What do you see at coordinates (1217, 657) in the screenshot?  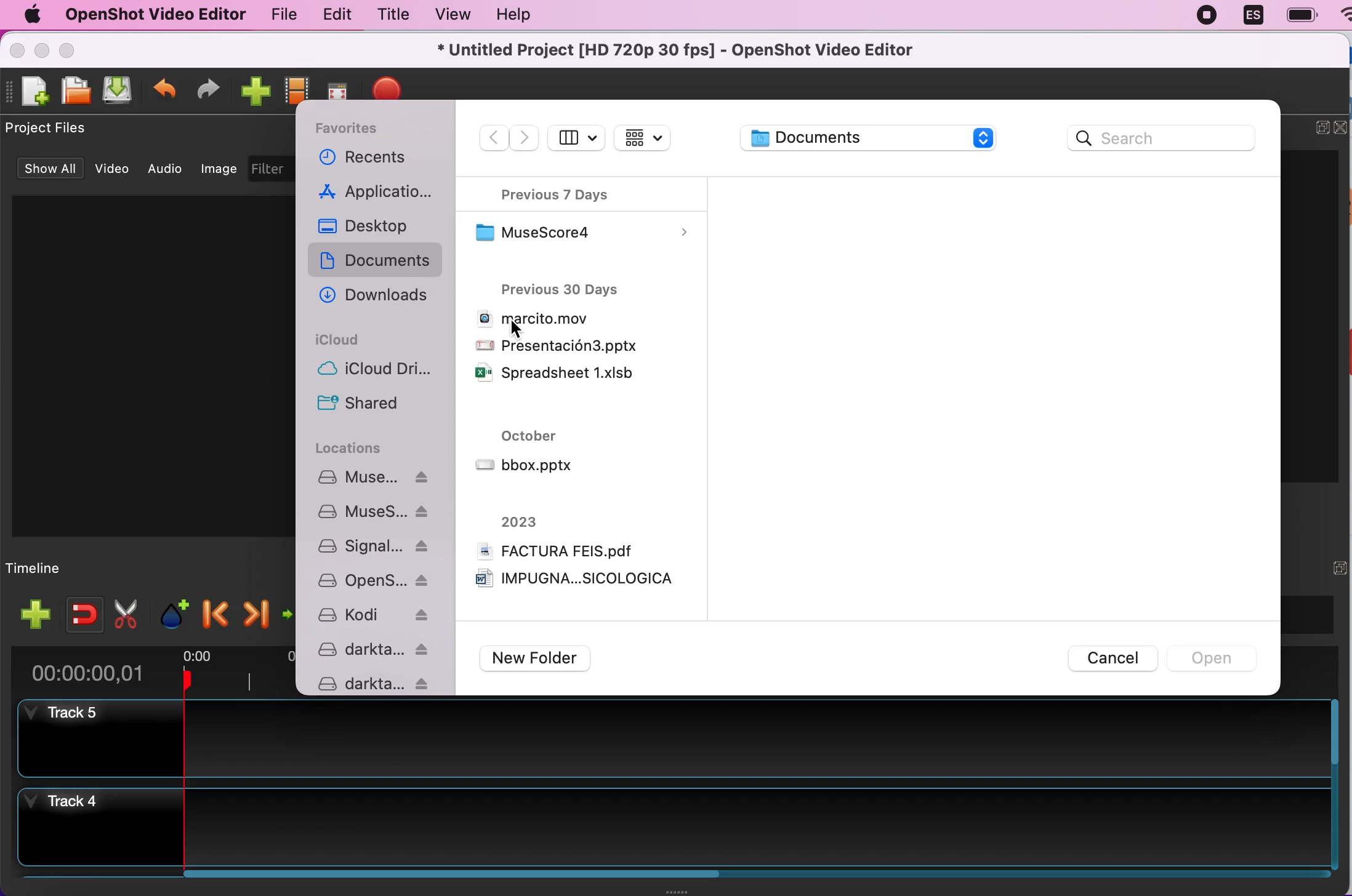 I see `open` at bounding box center [1217, 657].